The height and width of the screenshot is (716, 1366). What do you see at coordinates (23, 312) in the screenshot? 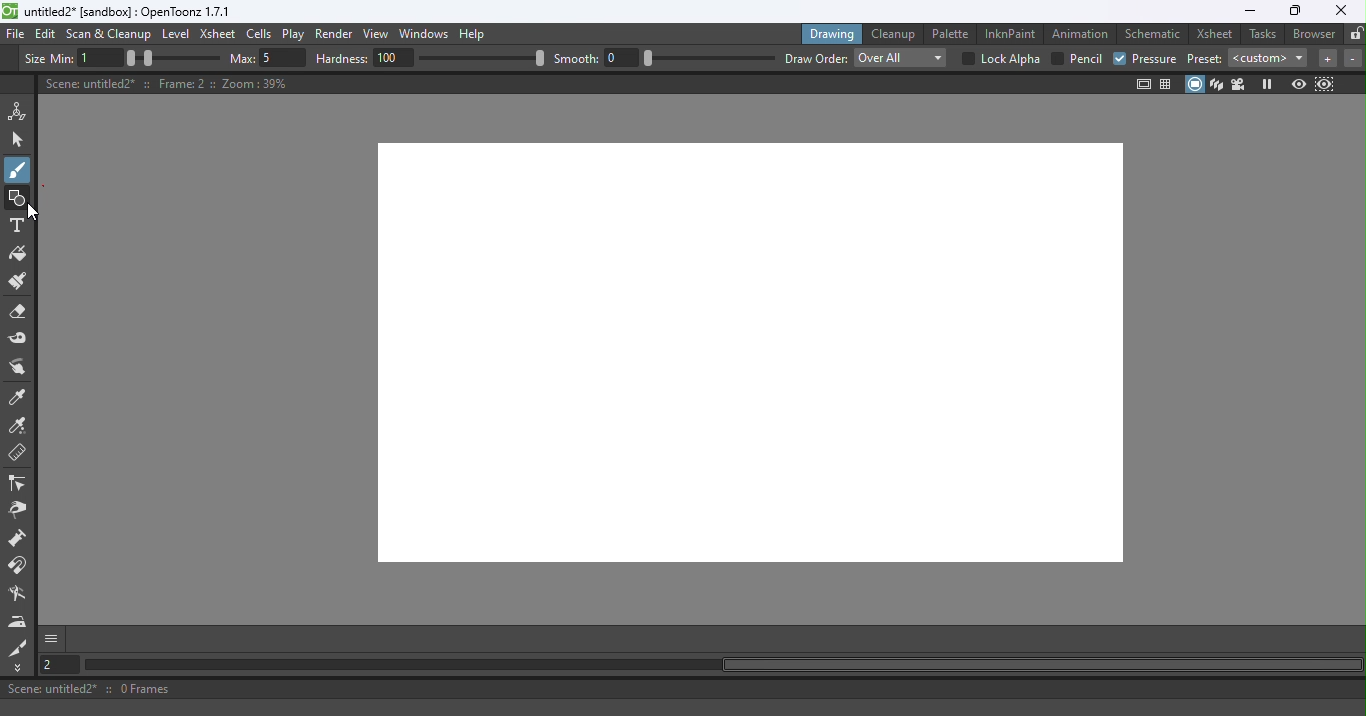
I see `Eraser tool` at bounding box center [23, 312].